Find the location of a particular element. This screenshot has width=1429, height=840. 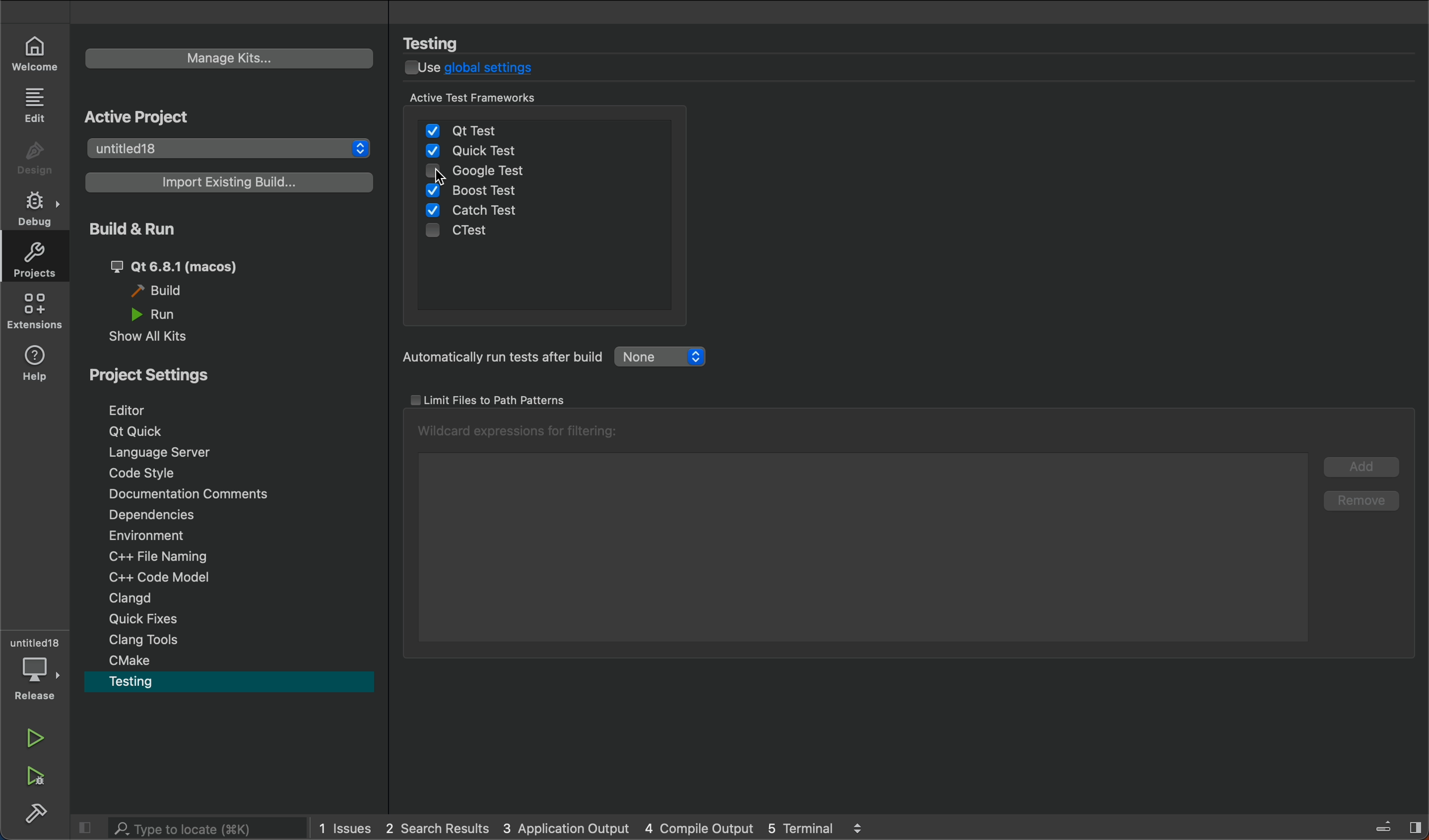

extensions is located at coordinates (35, 311).